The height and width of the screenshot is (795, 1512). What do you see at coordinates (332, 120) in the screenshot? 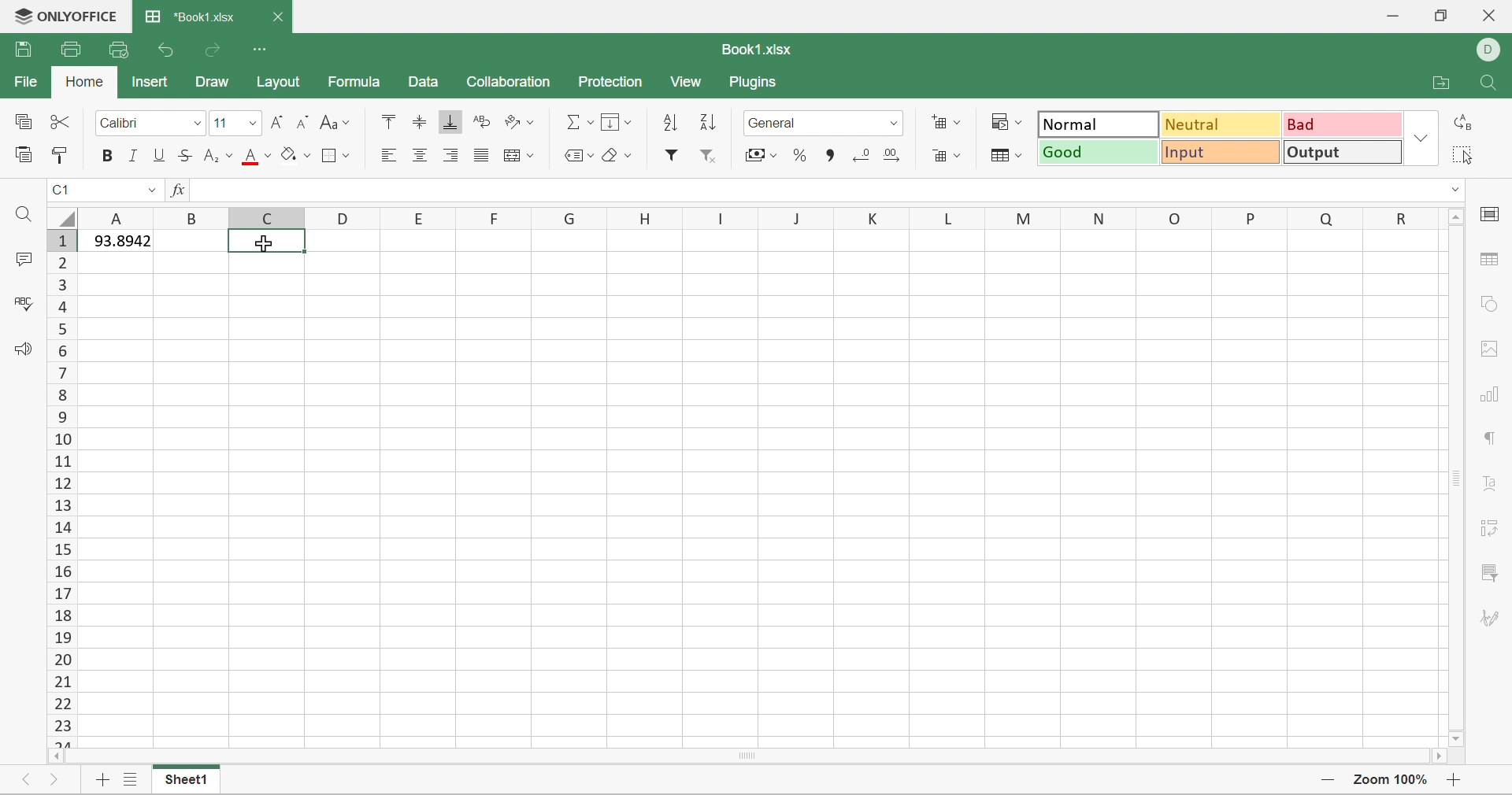
I see `Change case` at bounding box center [332, 120].